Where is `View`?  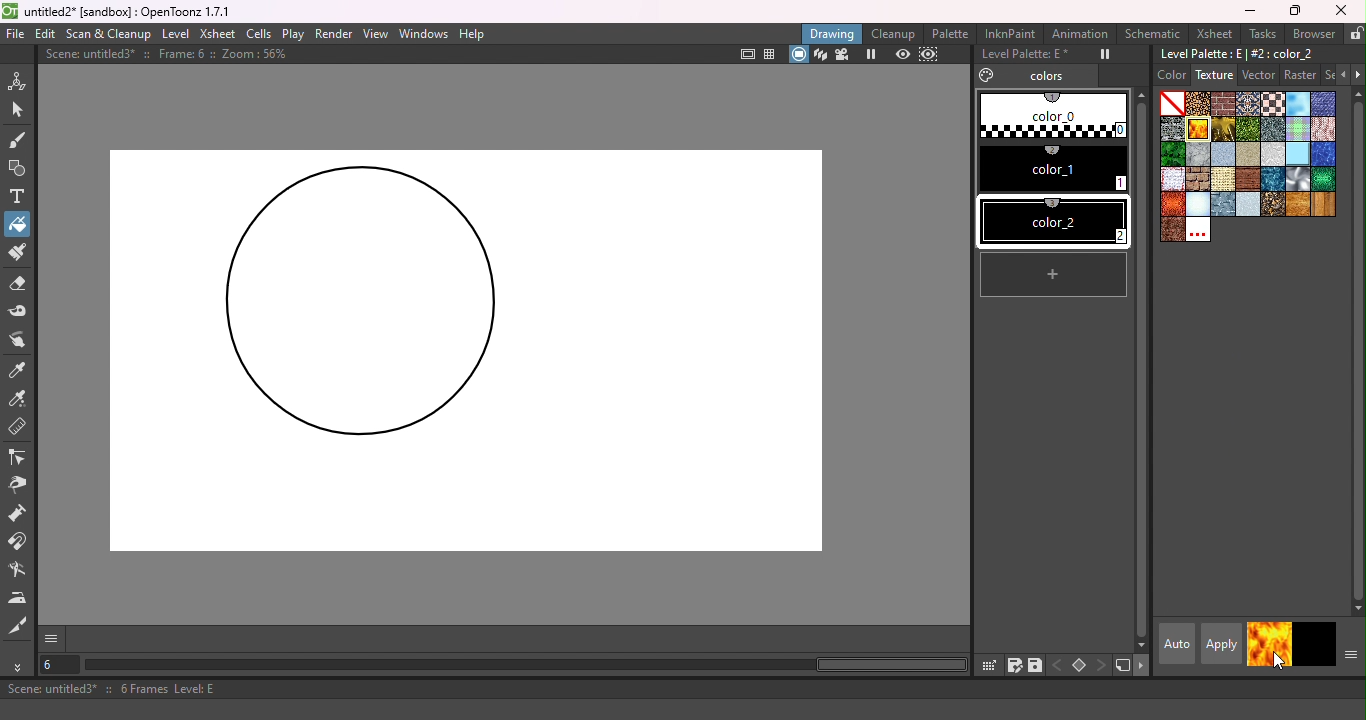 View is located at coordinates (376, 33).